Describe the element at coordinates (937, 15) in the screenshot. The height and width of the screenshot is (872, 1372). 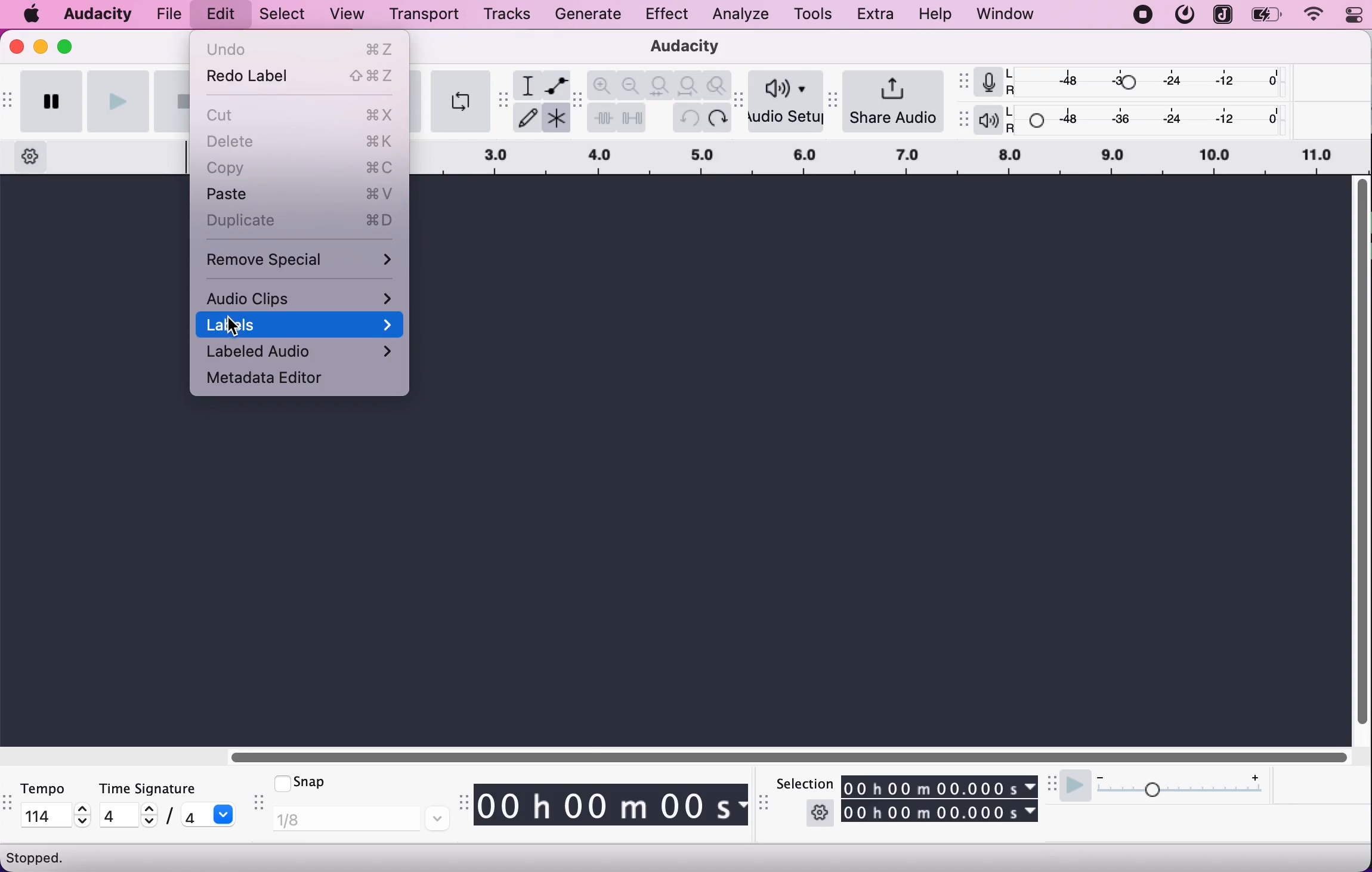
I see `help` at that location.